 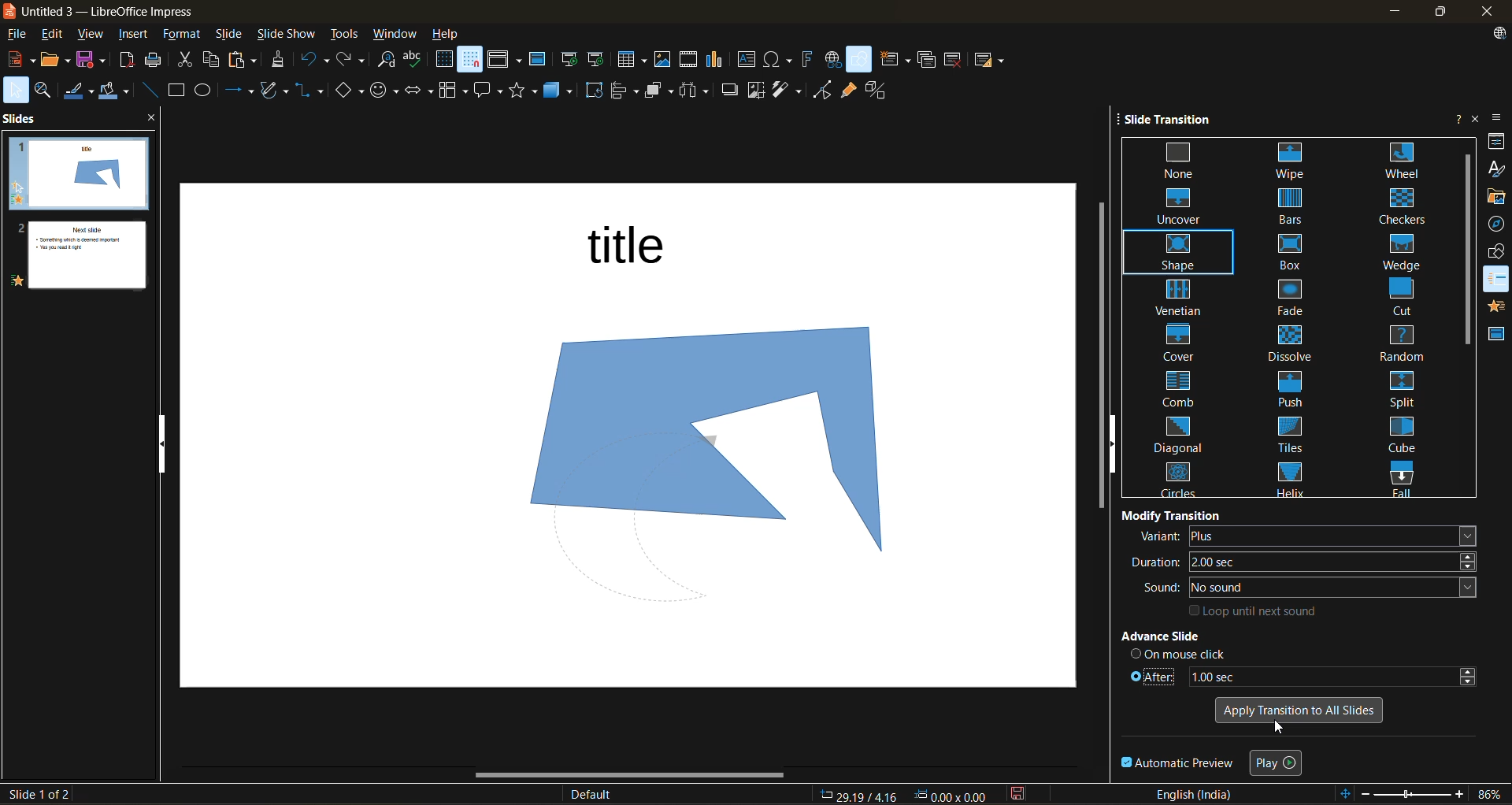 I want to click on arrange, so click(x=660, y=92).